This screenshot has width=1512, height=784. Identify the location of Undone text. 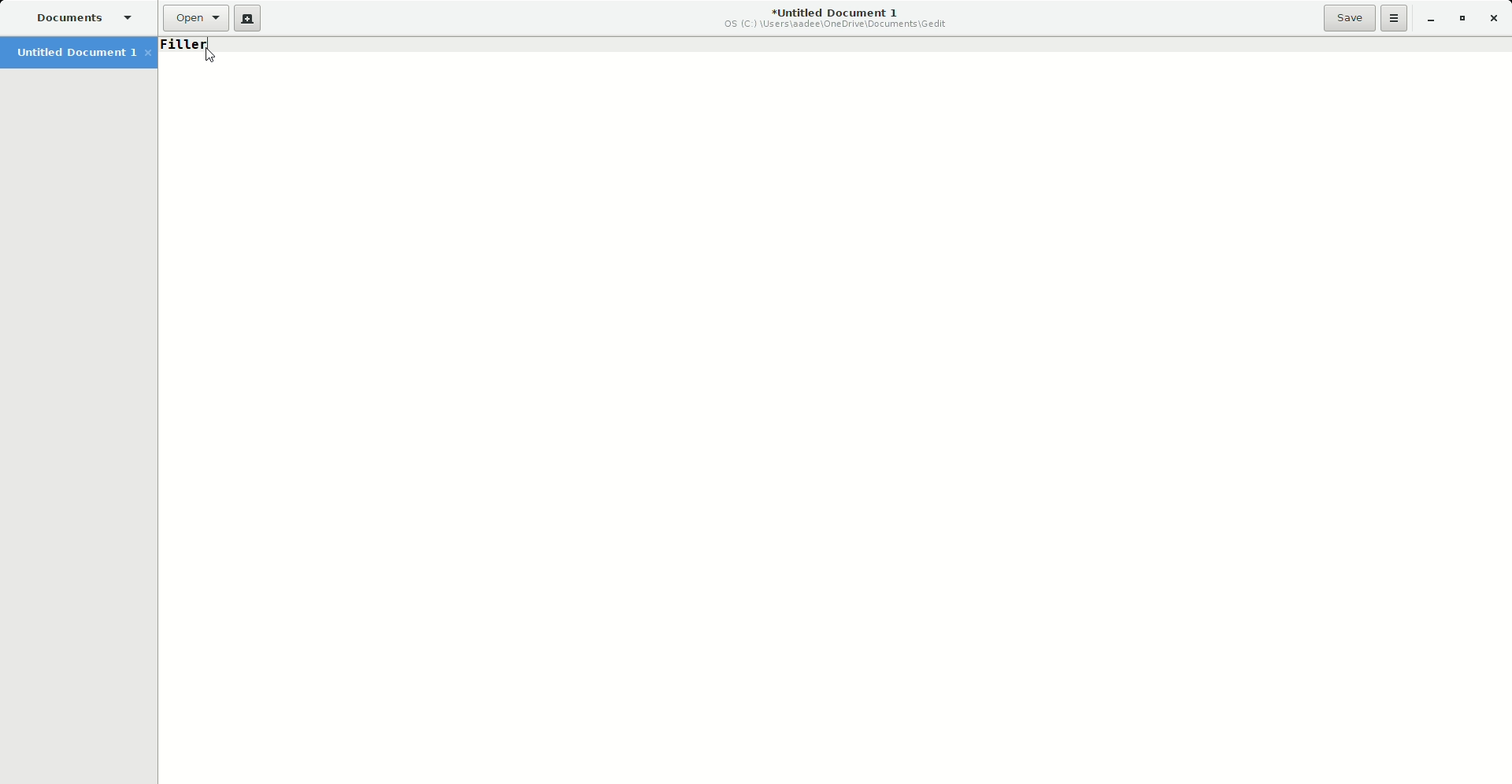
(189, 45).